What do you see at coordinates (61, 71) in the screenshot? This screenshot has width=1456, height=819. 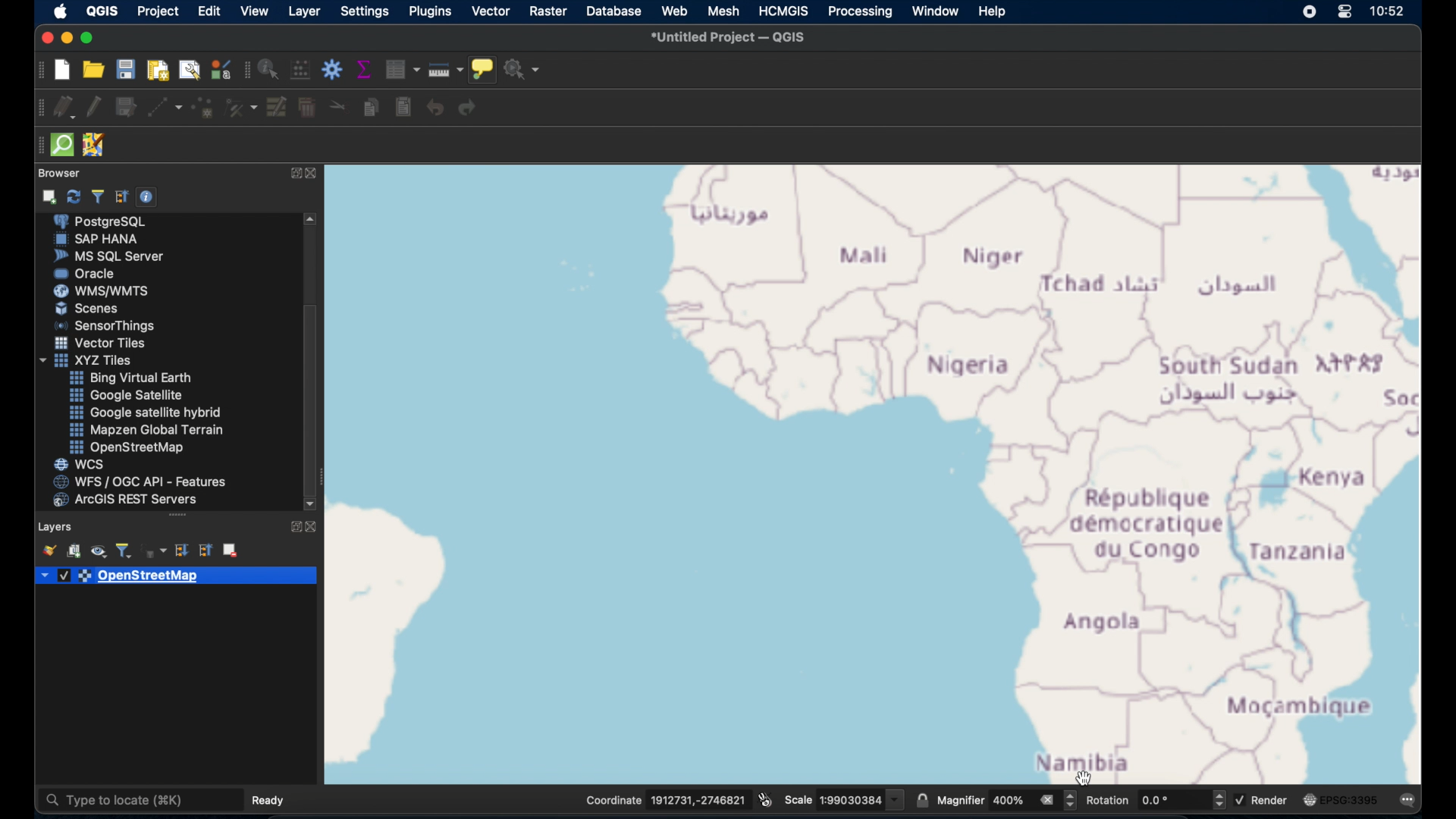 I see `new project` at bounding box center [61, 71].